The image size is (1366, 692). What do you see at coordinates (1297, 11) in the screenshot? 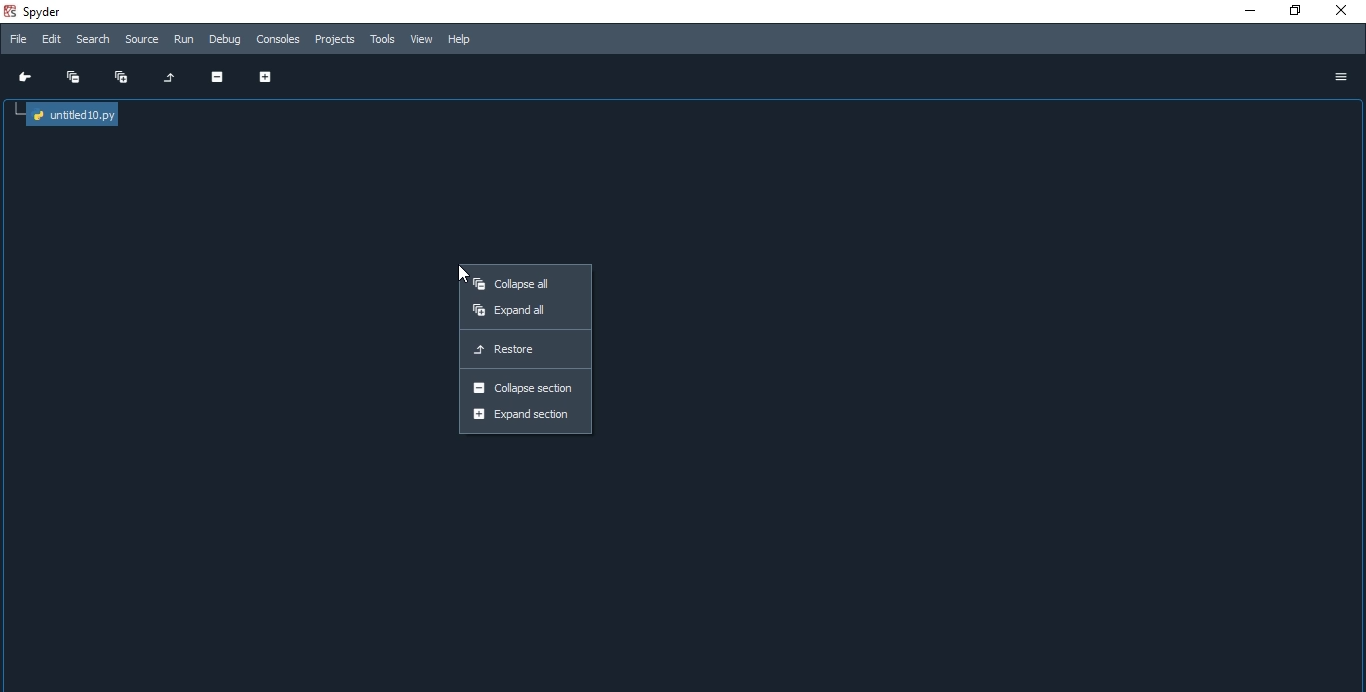
I see `restore` at bounding box center [1297, 11].